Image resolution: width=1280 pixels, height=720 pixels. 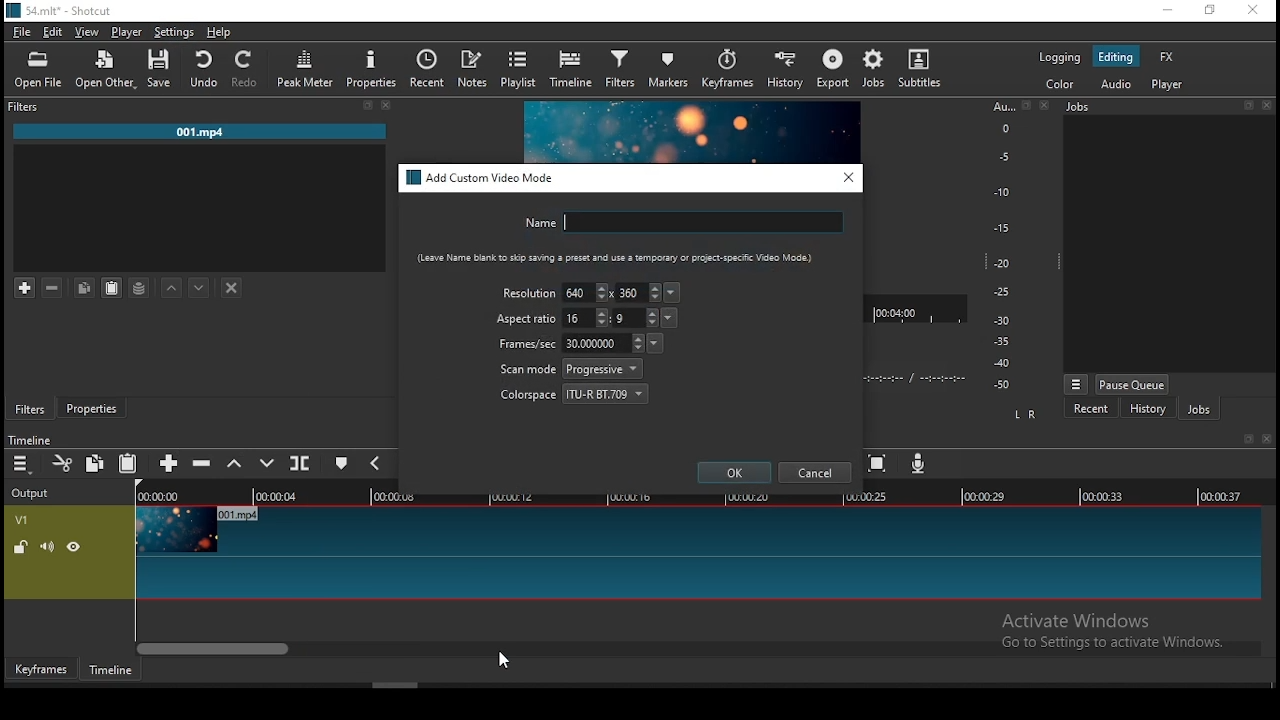 What do you see at coordinates (746, 495) in the screenshot?
I see `00:00:20` at bounding box center [746, 495].